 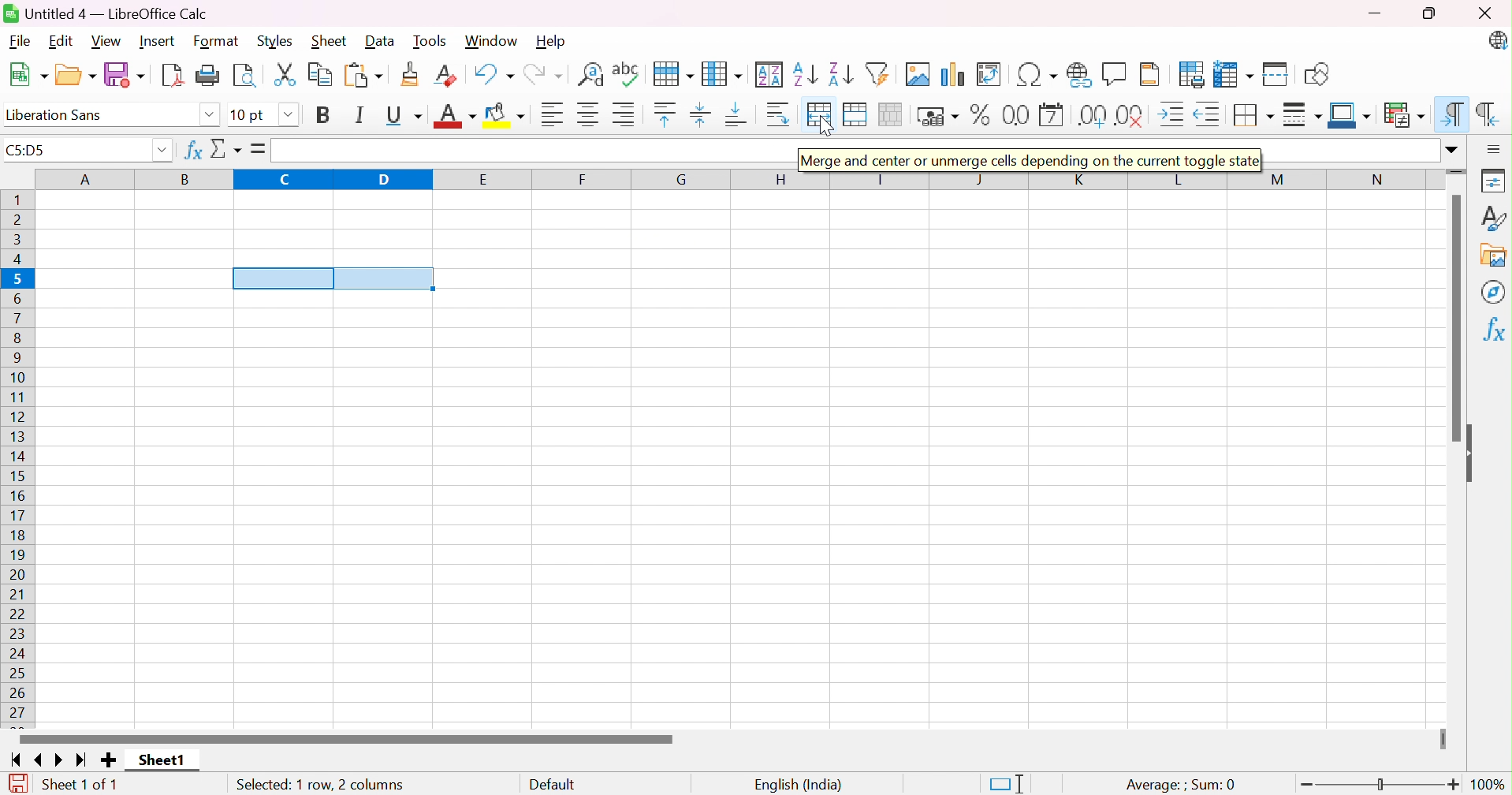 I want to click on Scroll to previous sheet, so click(x=40, y=762).